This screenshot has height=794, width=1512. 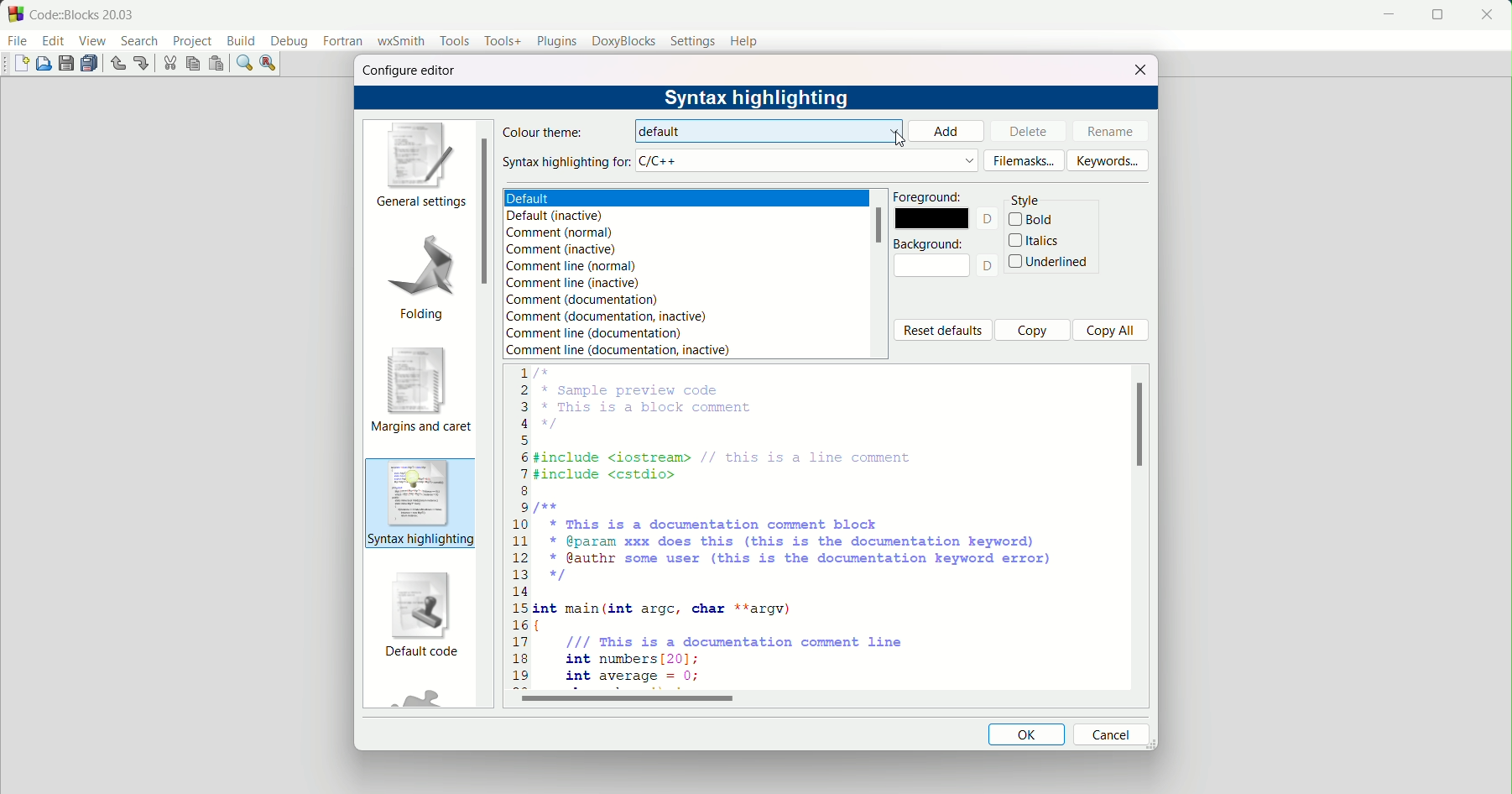 What do you see at coordinates (1137, 71) in the screenshot?
I see `close` at bounding box center [1137, 71].